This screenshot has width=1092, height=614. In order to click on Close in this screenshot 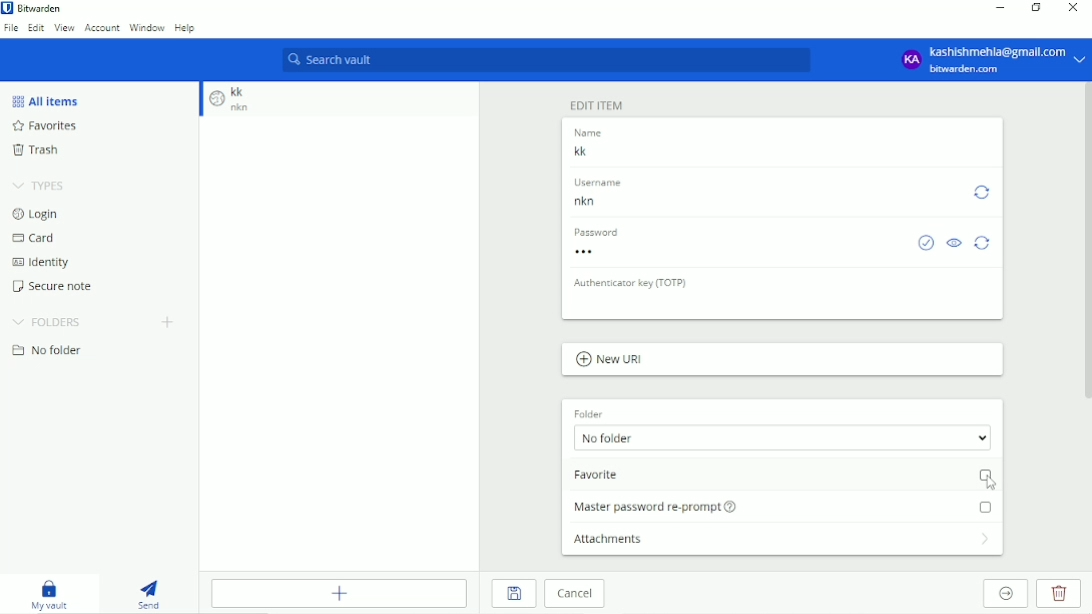, I will do `click(1072, 7)`.